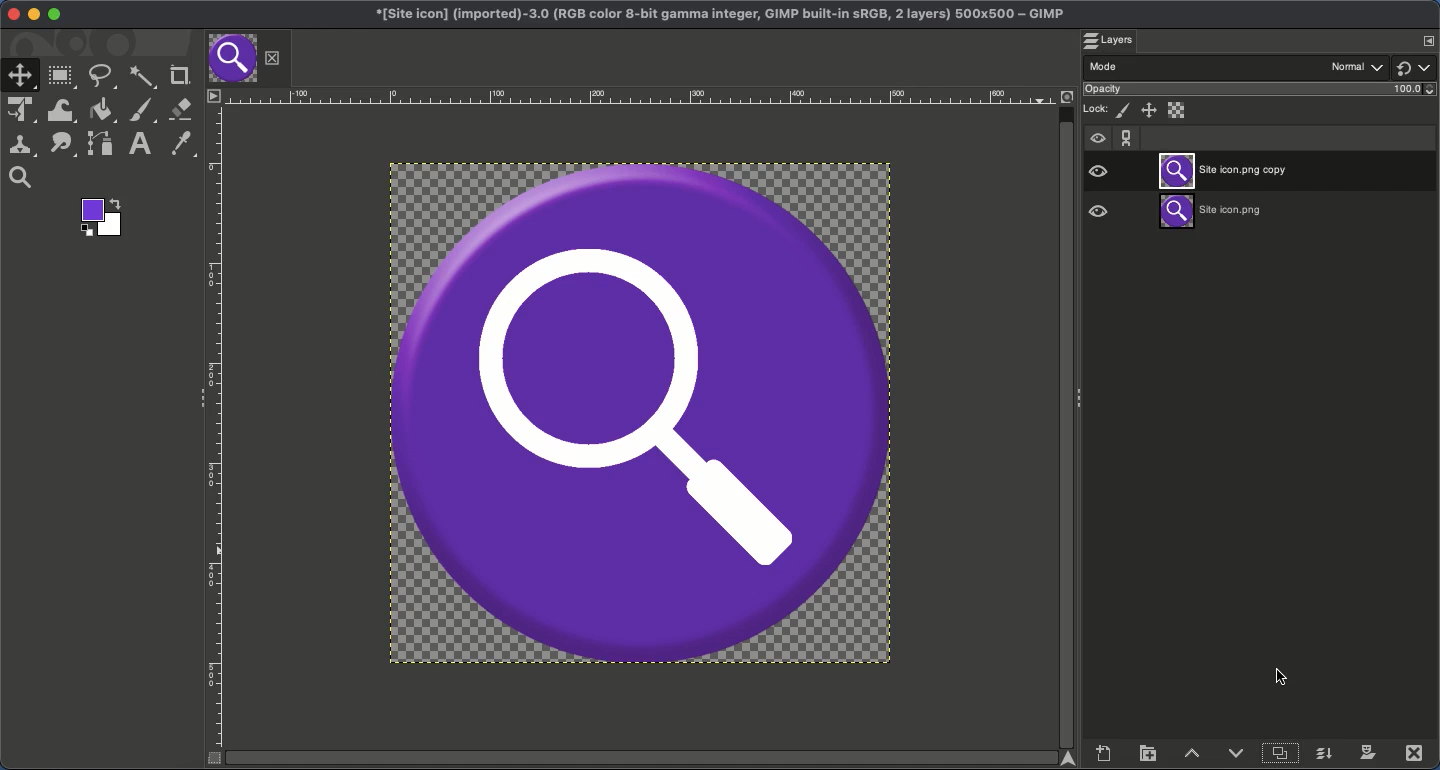 The width and height of the screenshot is (1440, 770). Describe the element at coordinates (233, 57) in the screenshot. I see `Tab` at that location.